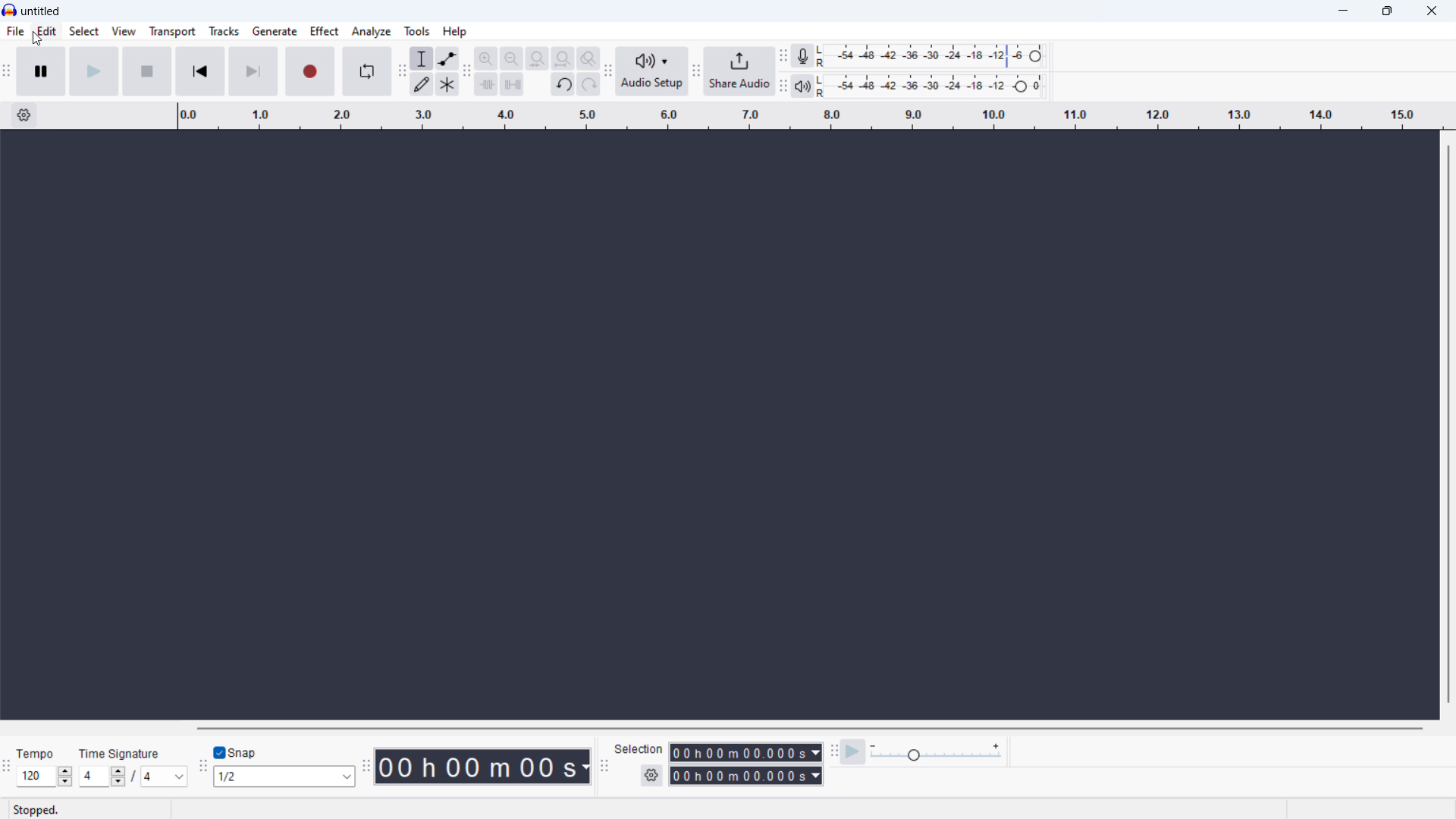  Describe the element at coordinates (607, 71) in the screenshot. I see `audio setup toolbar` at that location.